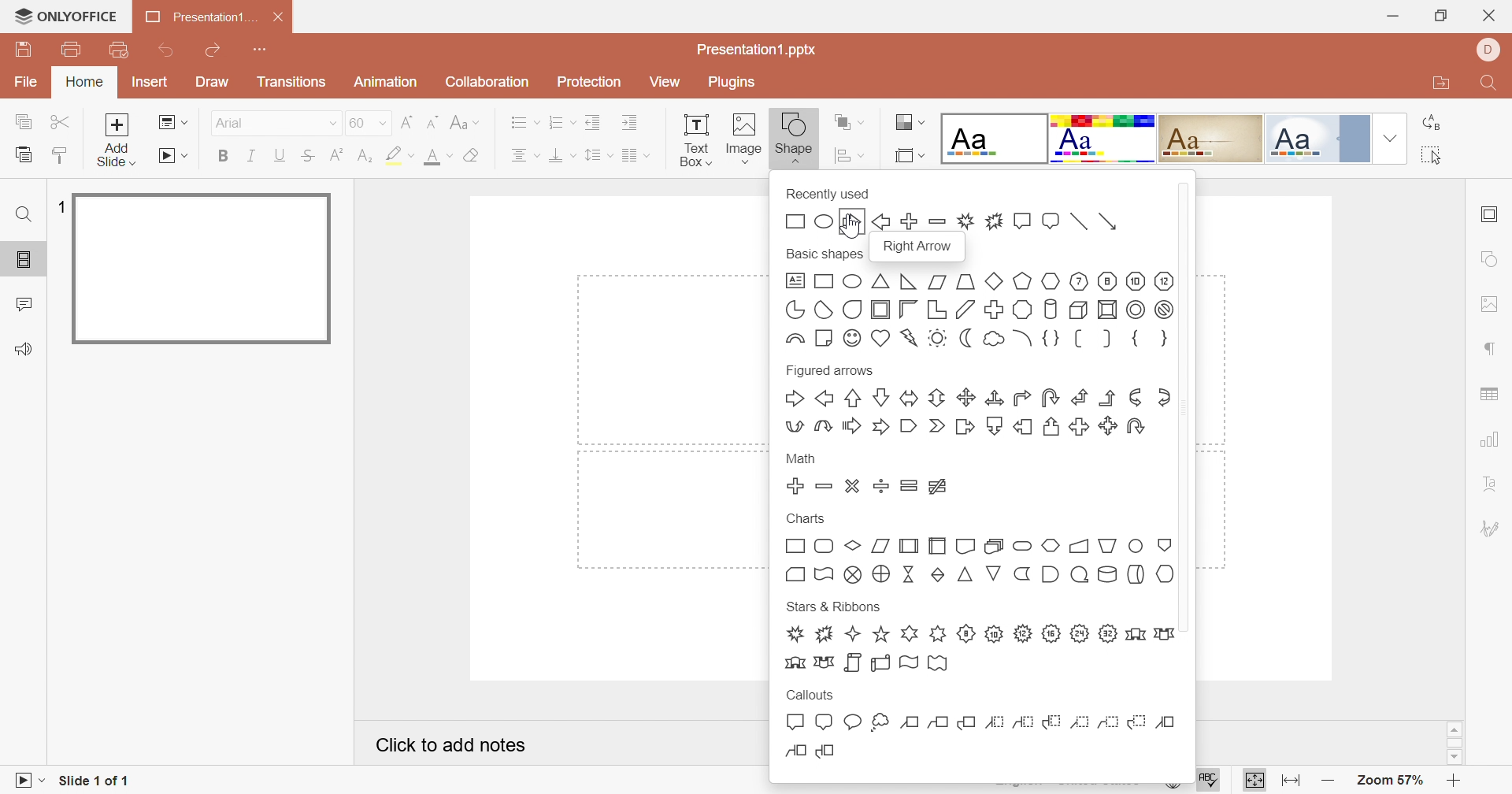 The width and height of the screenshot is (1512, 794). What do you see at coordinates (475, 156) in the screenshot?
I see `Clear style` at bounding box center [475, 156].